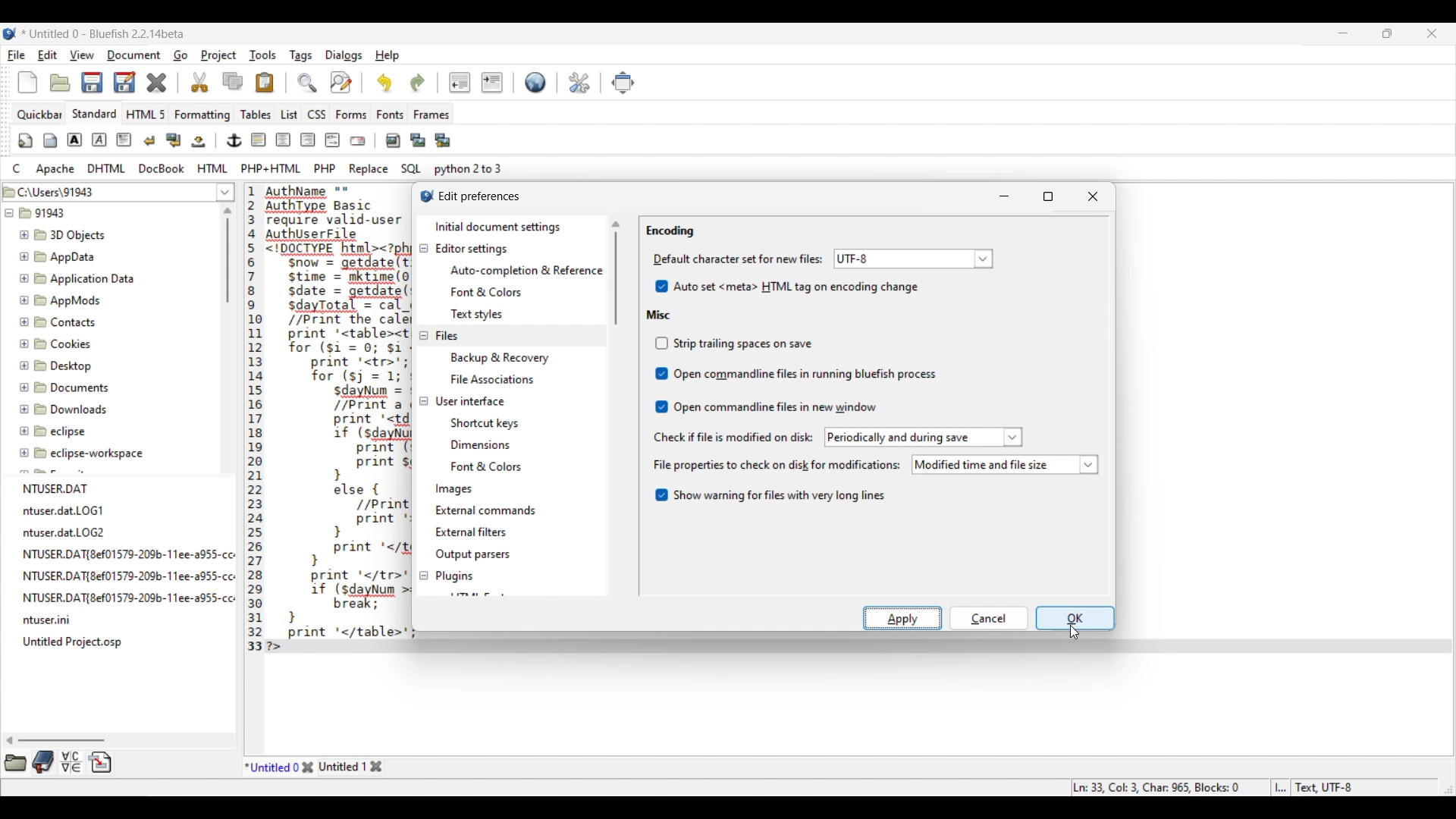 The height and width of the screenshot is (819, 1456). I want to click on Document menu, so click(134, 55).